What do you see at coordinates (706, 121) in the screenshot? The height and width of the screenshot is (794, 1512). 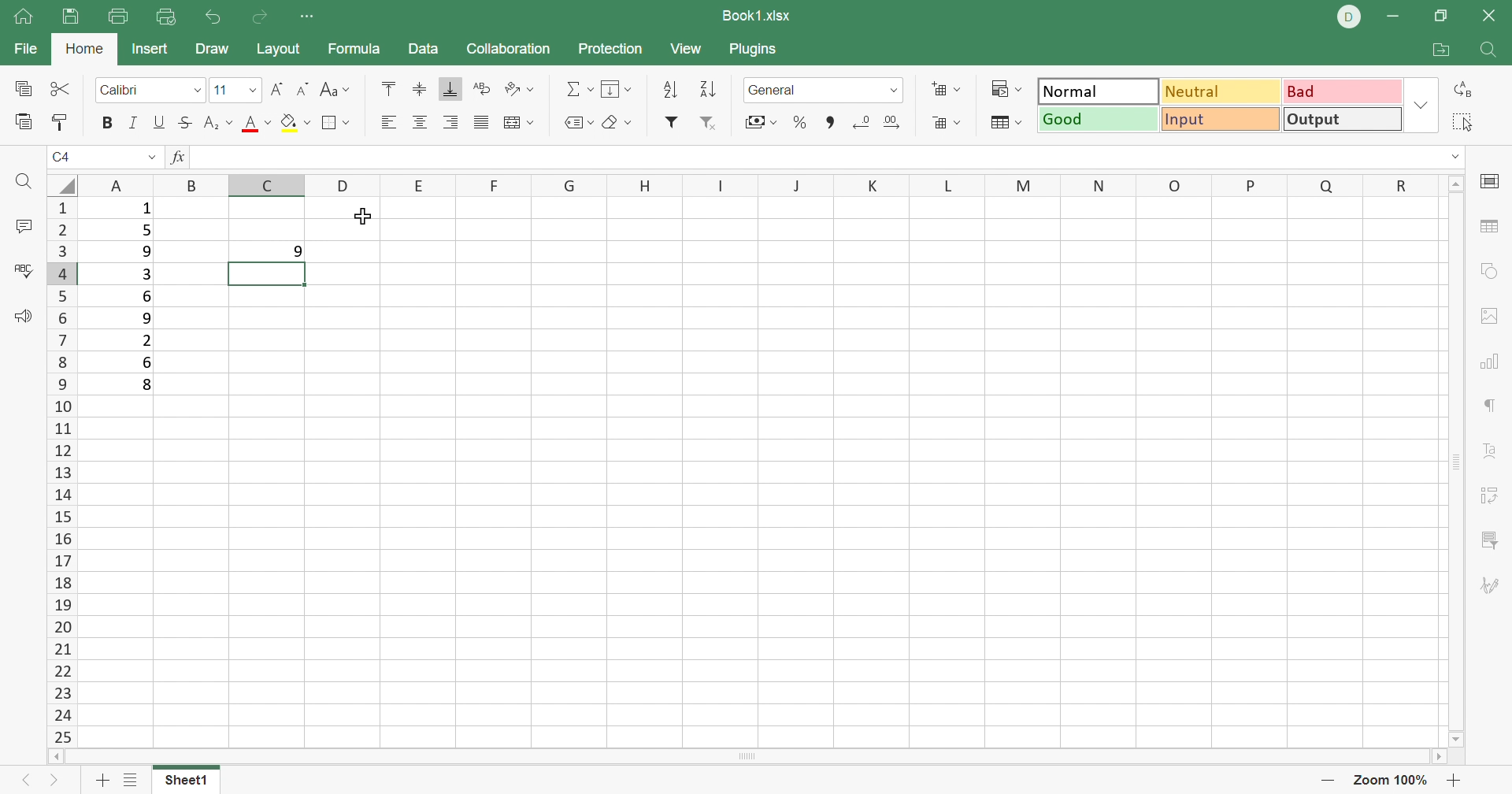 I see `Remove filter` at bounding box center [706, 121].